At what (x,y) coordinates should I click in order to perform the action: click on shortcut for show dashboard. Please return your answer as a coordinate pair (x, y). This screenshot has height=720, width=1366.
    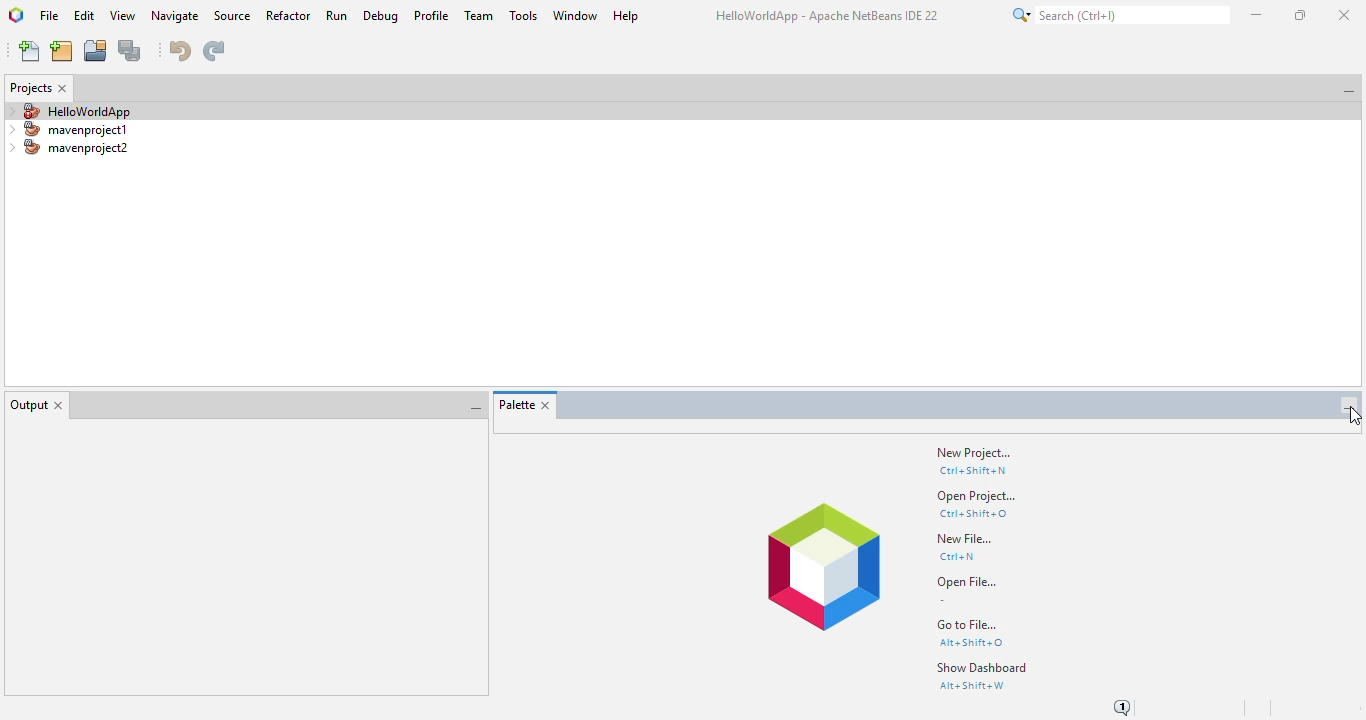
    Looking at the image, I should click on (971, 686).